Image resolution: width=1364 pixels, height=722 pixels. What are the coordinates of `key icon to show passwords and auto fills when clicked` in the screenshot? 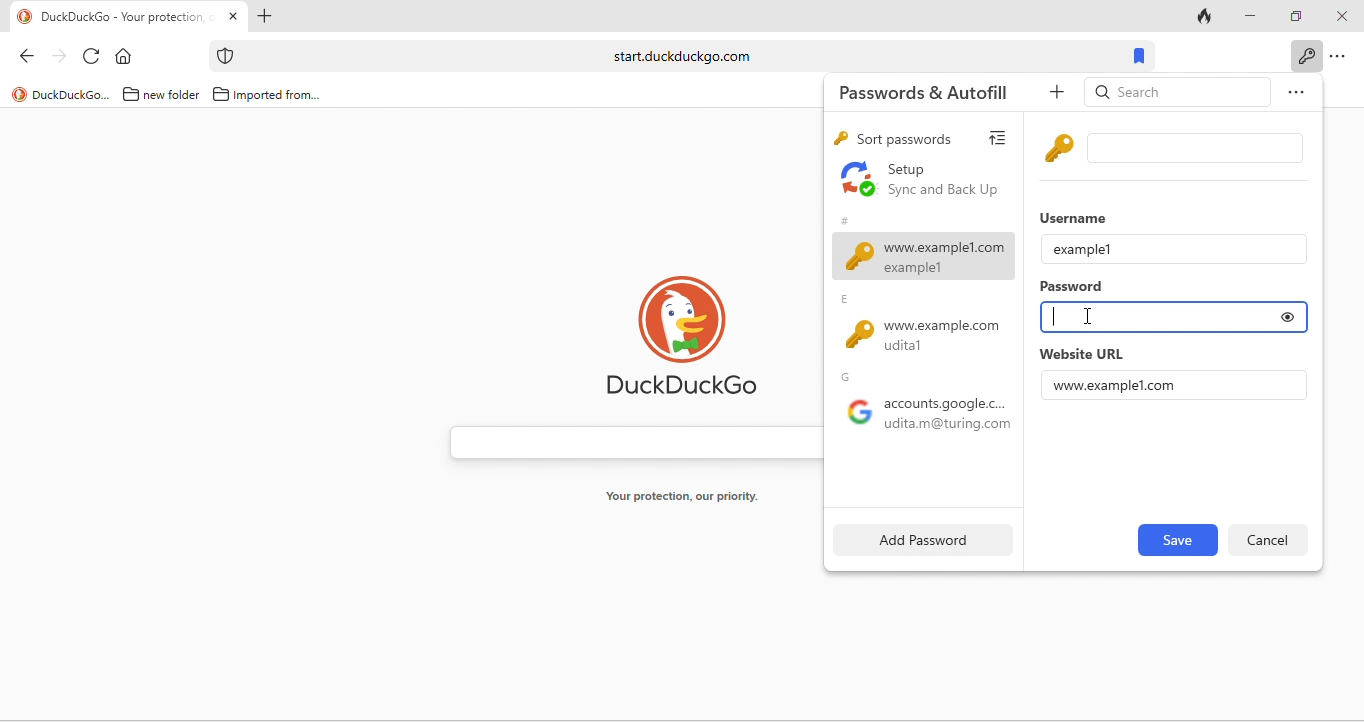 It's located at (1306, 55).